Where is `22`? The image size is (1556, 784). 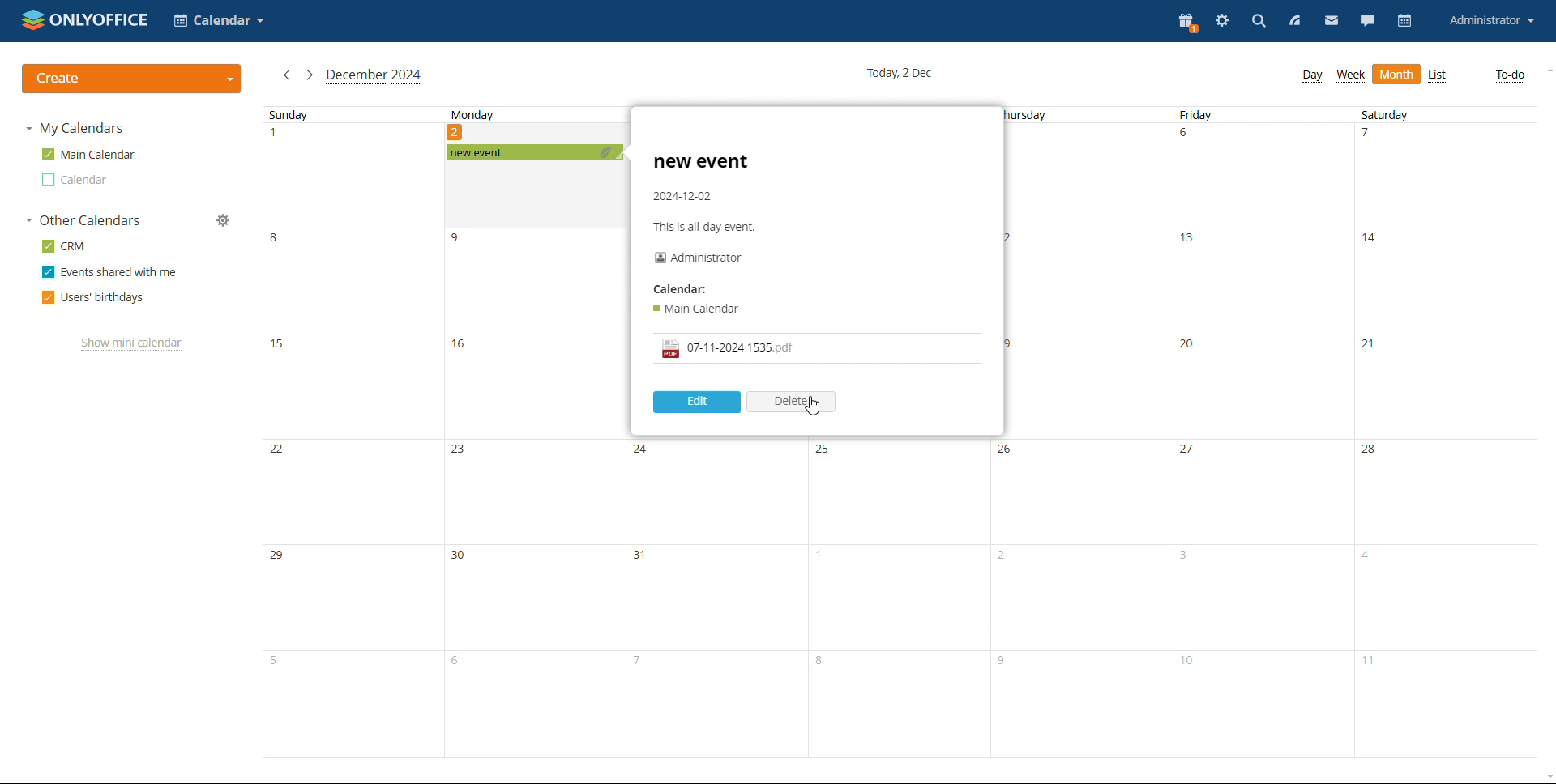
22 is located at coordinates (276, 450).